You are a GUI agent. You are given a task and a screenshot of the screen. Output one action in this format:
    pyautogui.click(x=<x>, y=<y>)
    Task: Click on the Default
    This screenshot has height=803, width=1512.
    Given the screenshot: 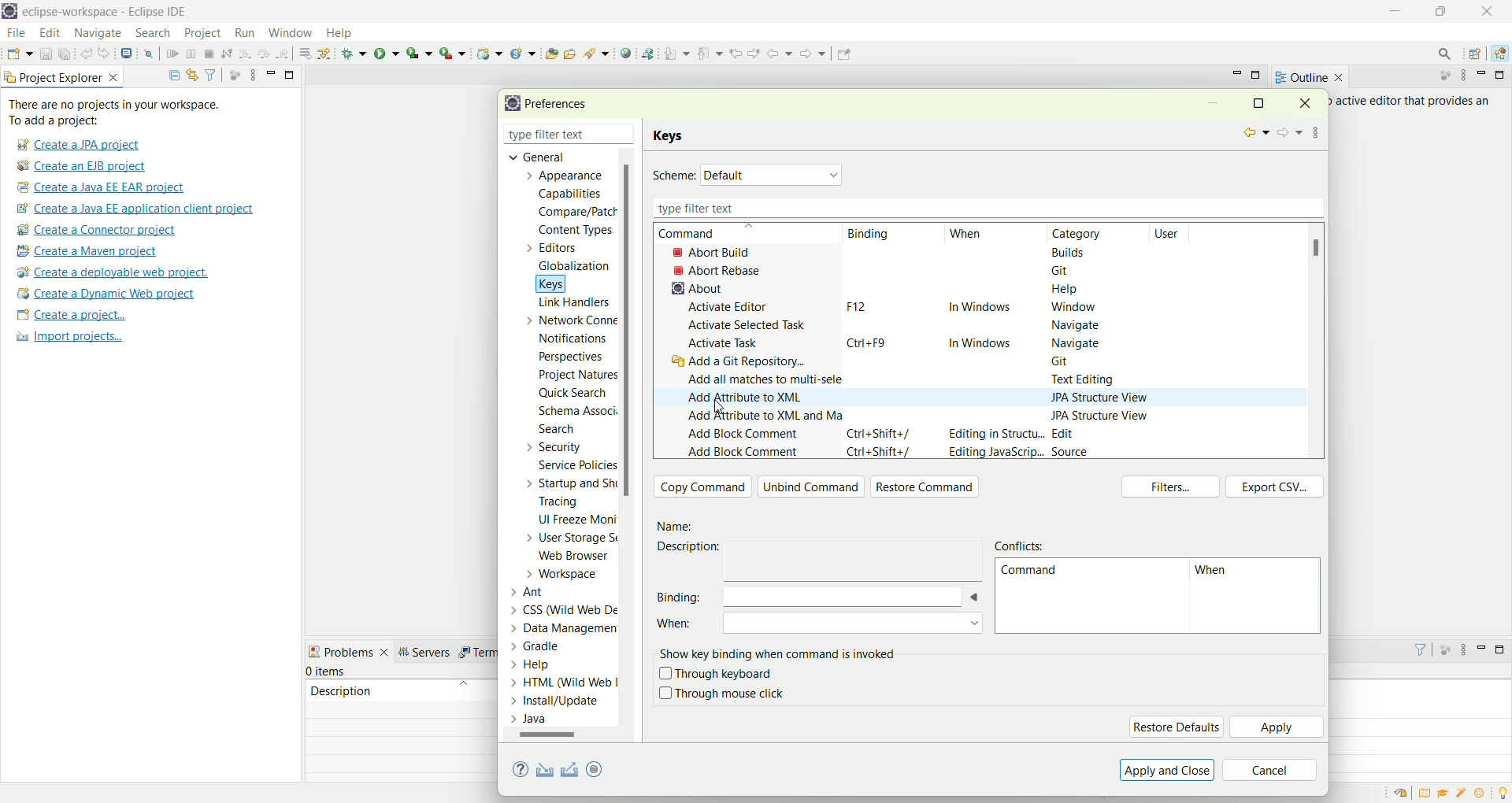 What is the action you would take?
    pyautogui.click(x=773, y=174)
    